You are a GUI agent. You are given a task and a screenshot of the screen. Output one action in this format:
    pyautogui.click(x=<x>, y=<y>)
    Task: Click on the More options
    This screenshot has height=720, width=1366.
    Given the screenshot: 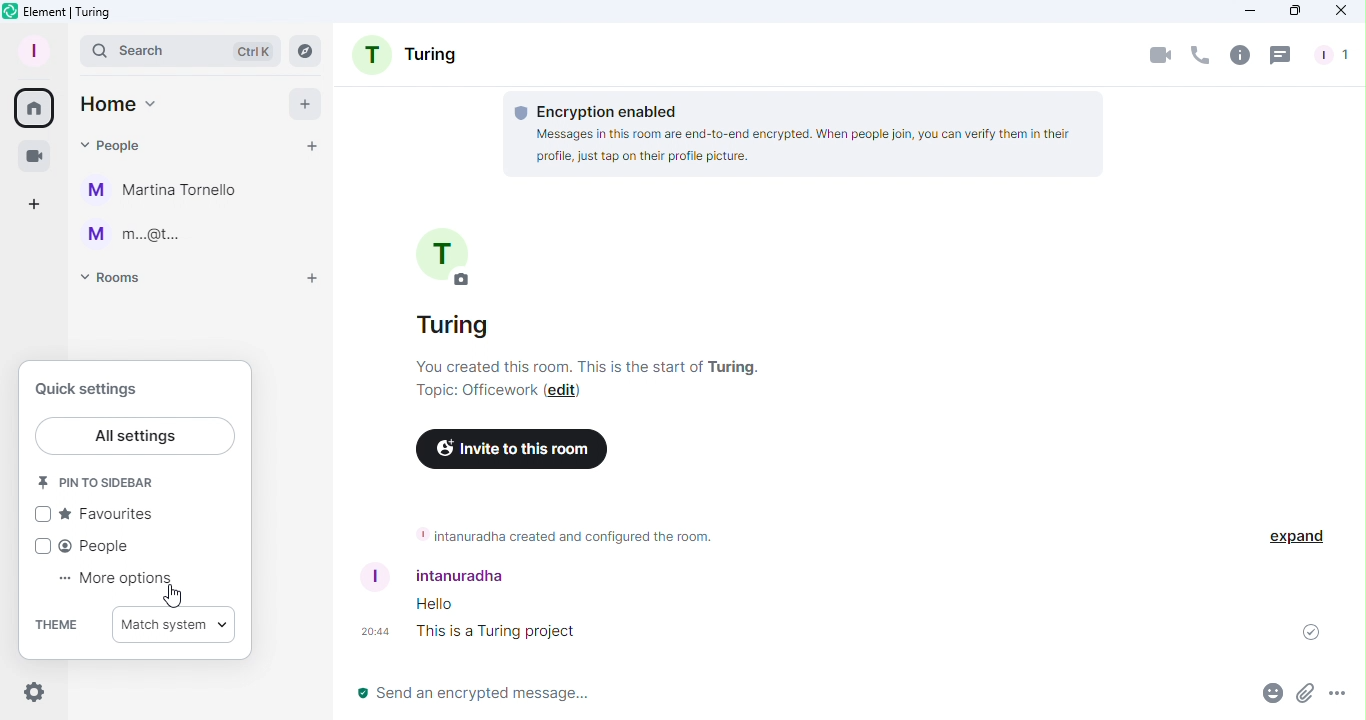 What is the action you would take?
    pyautogui.click(x=110, y=580)
    